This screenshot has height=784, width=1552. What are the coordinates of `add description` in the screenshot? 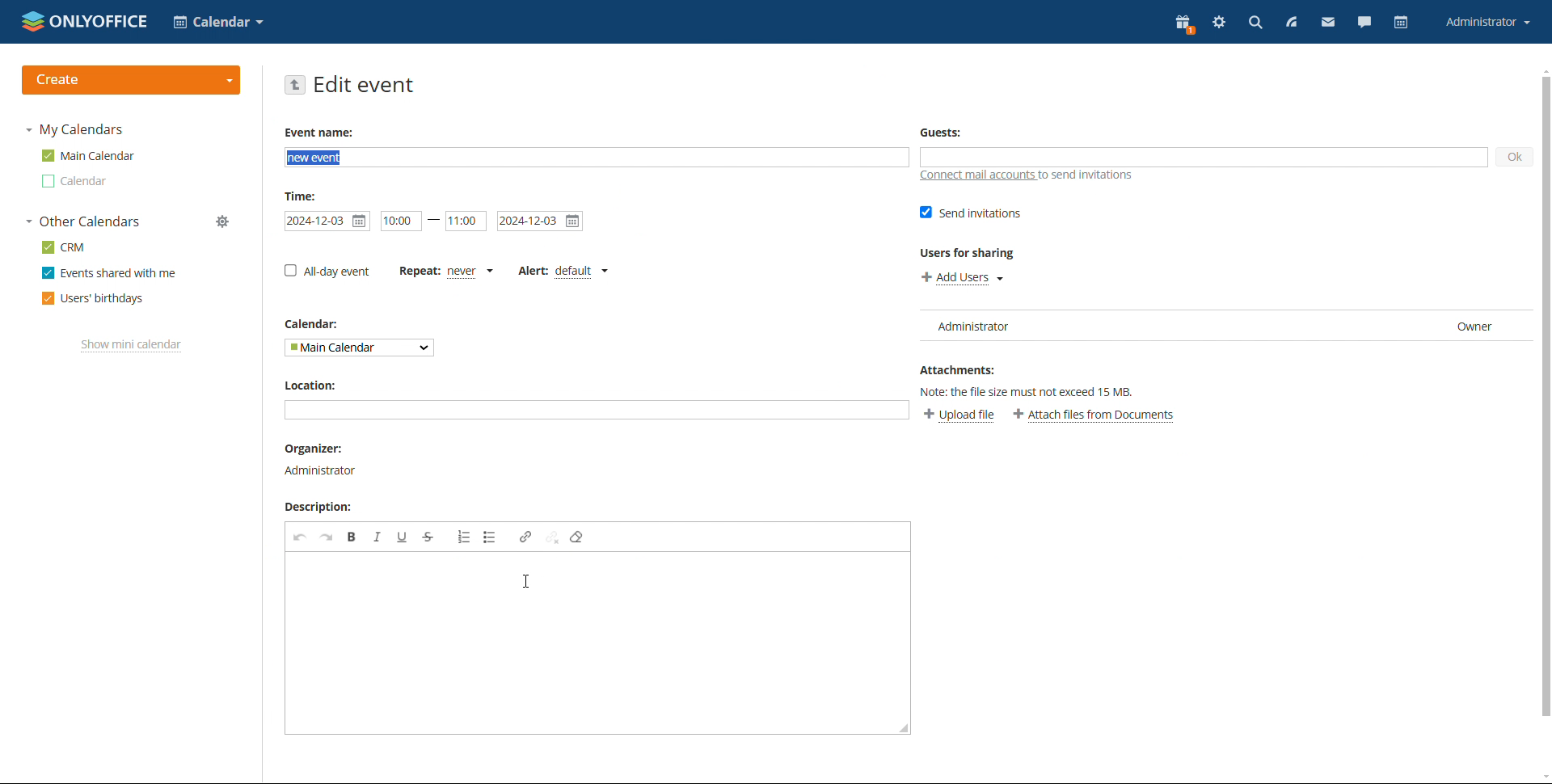 It's located at (599, 644).